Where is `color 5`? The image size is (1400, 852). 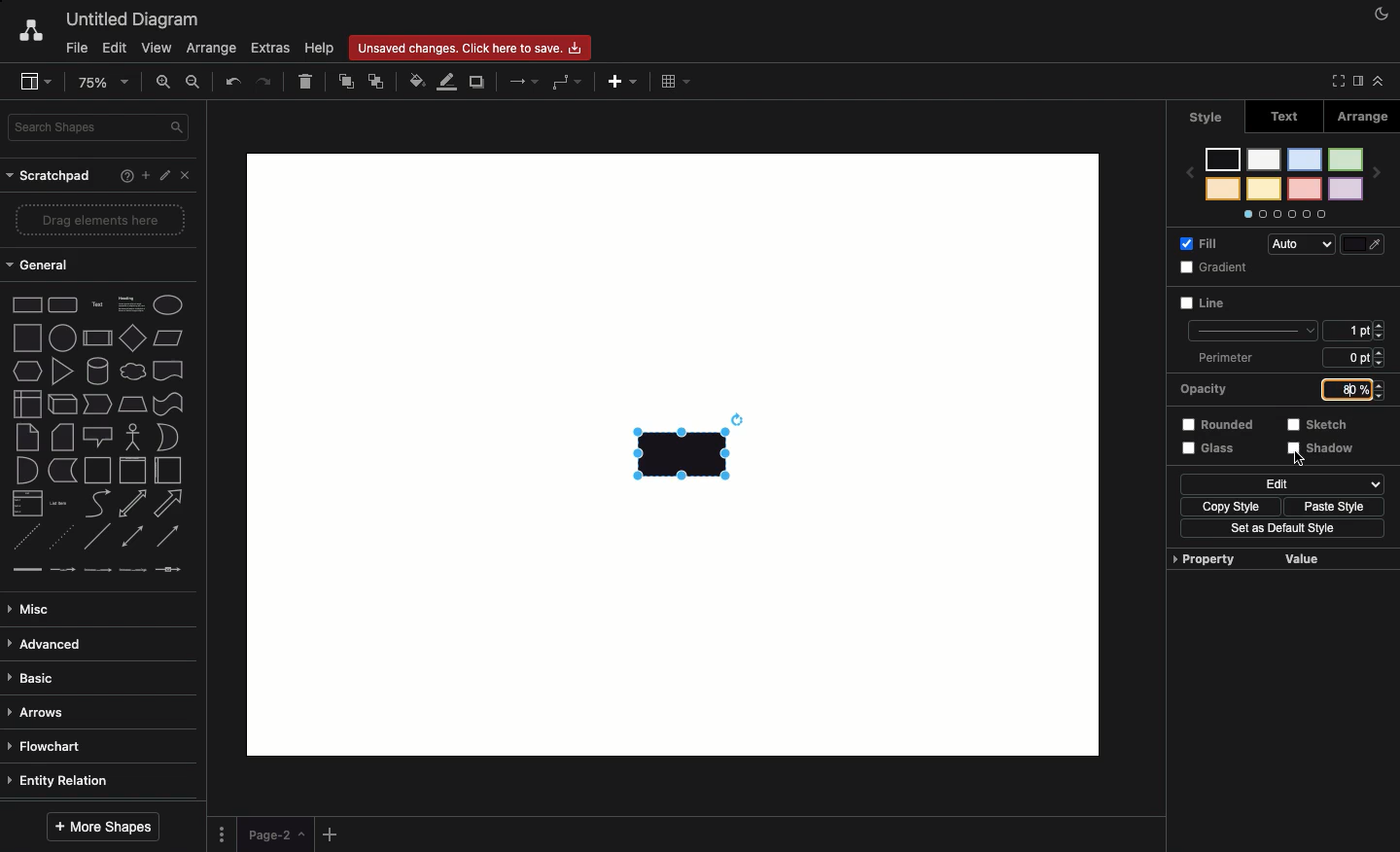 color 5 is located at coordinates (1264, 160).